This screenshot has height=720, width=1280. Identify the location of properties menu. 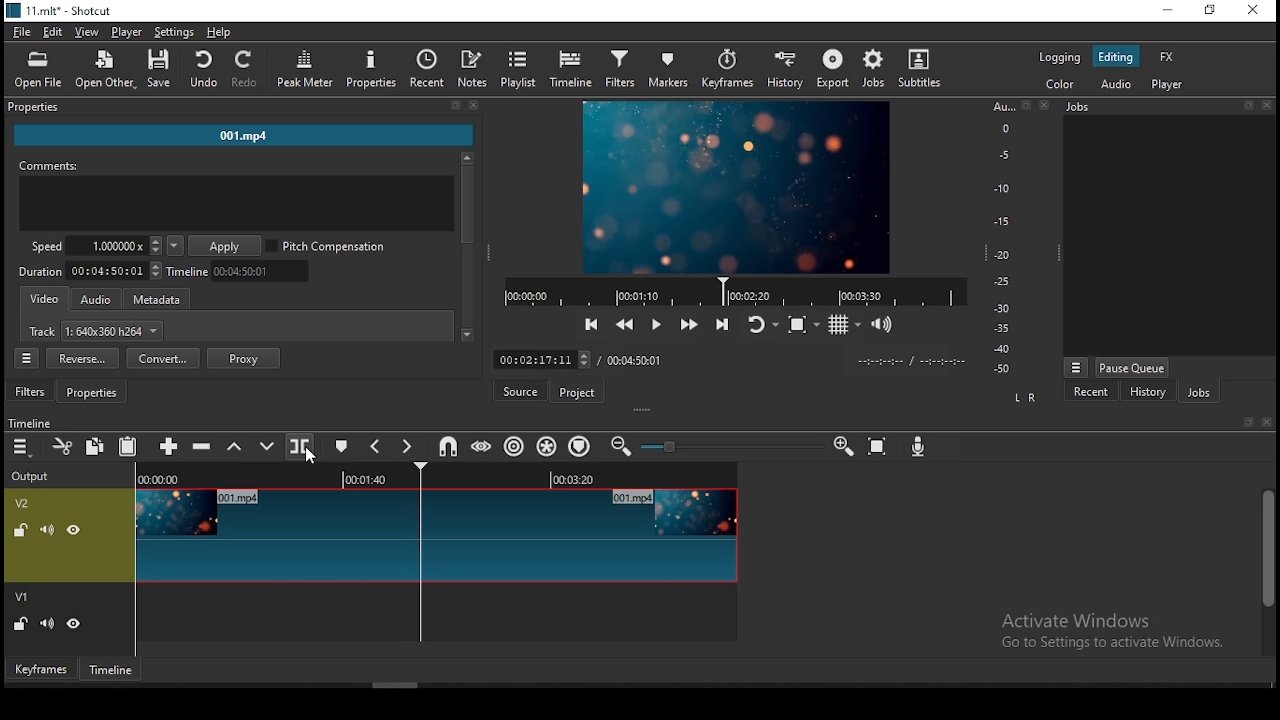
(29, 358).